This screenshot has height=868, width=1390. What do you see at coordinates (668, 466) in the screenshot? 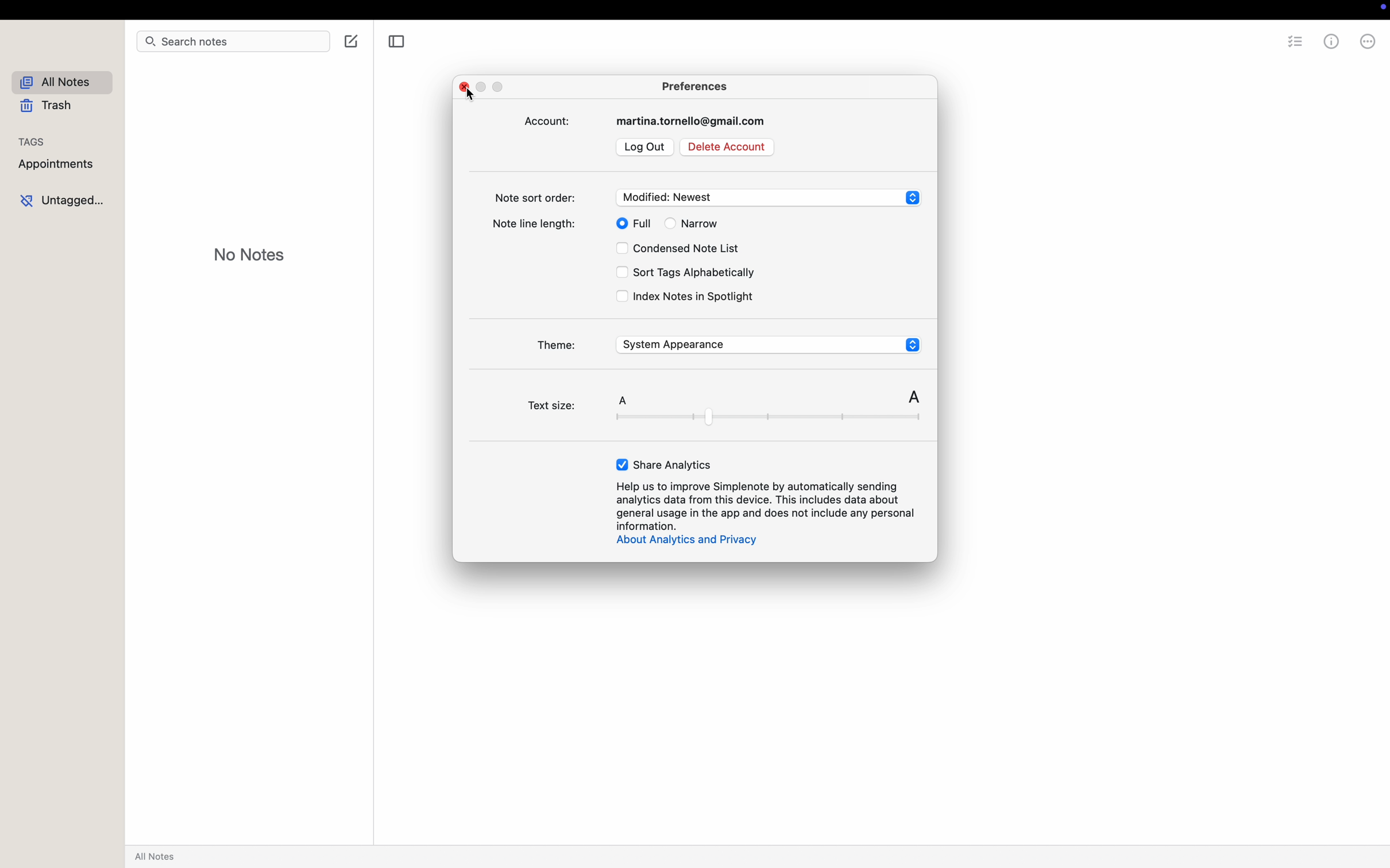
I see `enable share analytics button` at bounding box center [668, 466].